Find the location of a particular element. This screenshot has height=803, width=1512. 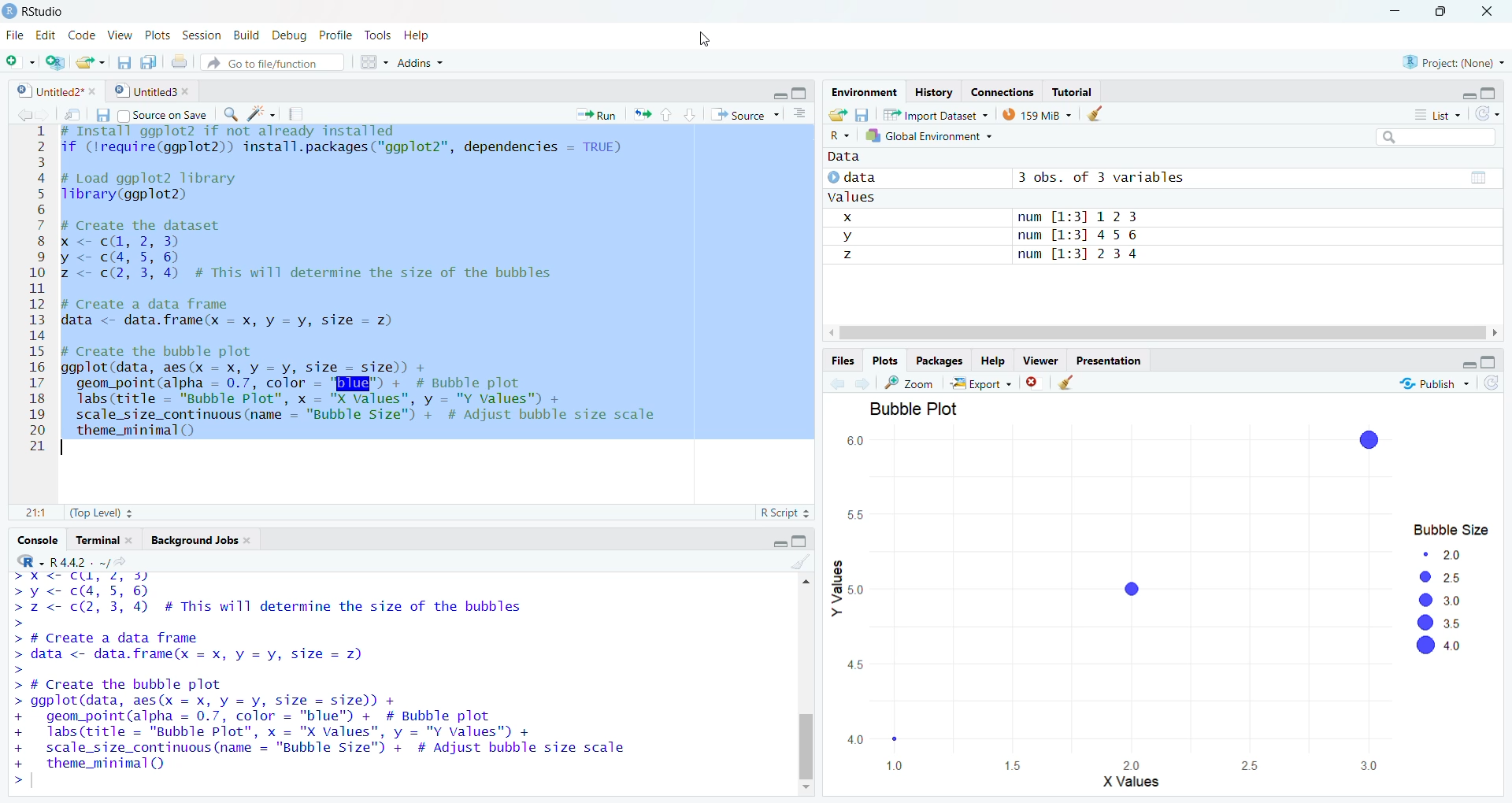

clear viewer is located at coordinates (1066, 382).